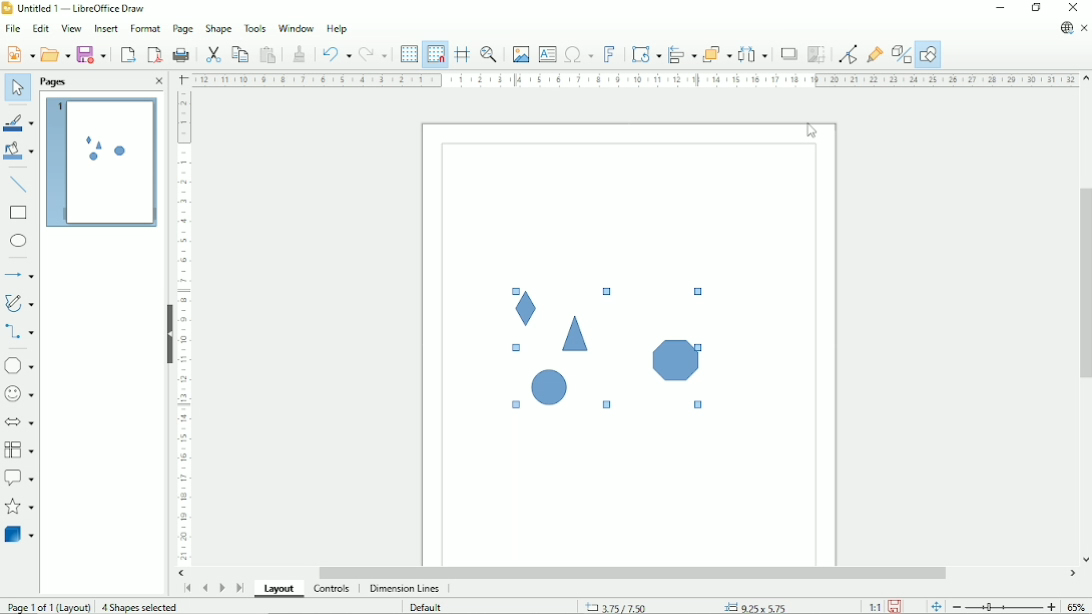  I want to click on Fill color, so click(20, 153).